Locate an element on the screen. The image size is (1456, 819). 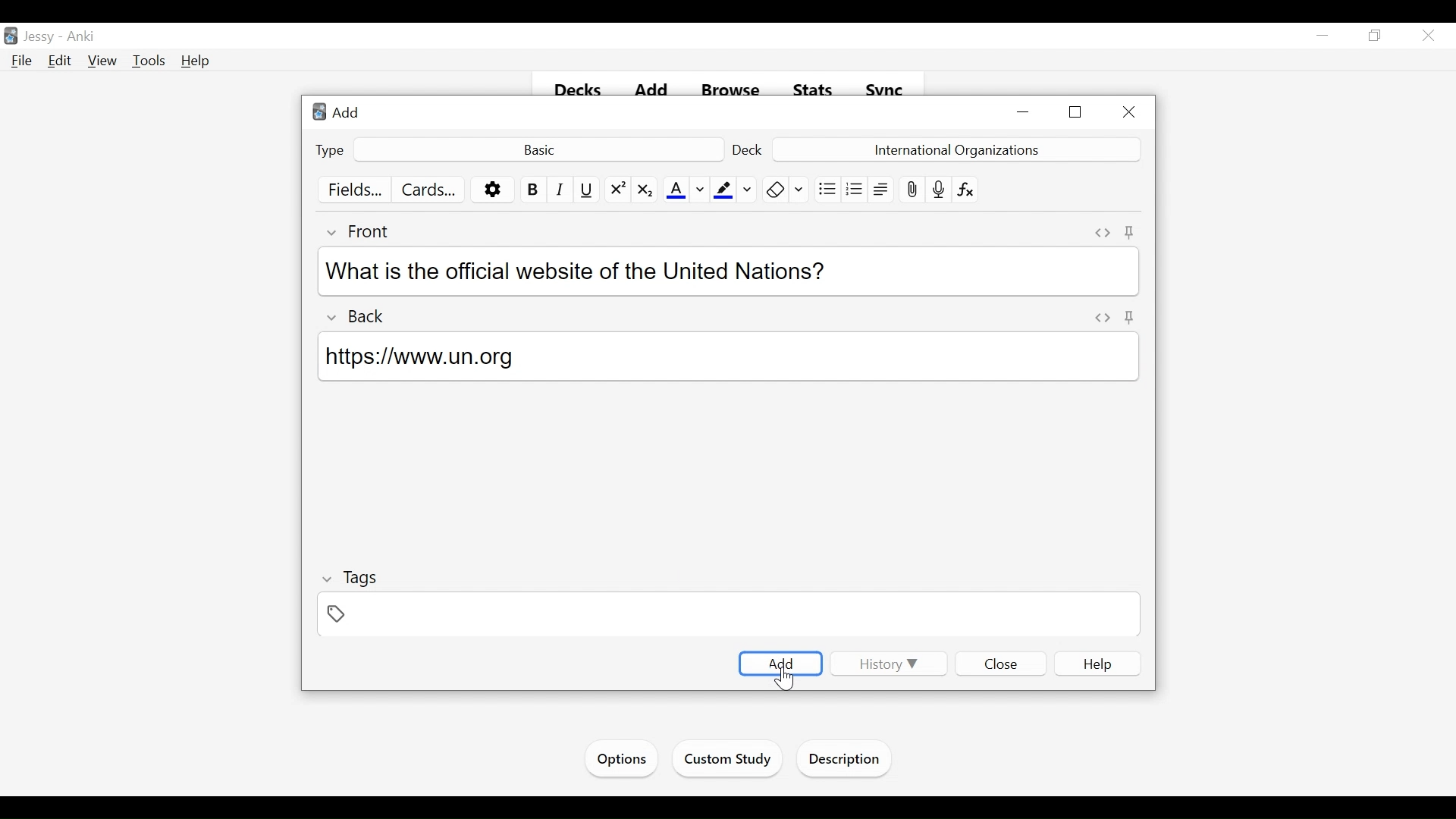
Anki is located at coordinates (83, 36).